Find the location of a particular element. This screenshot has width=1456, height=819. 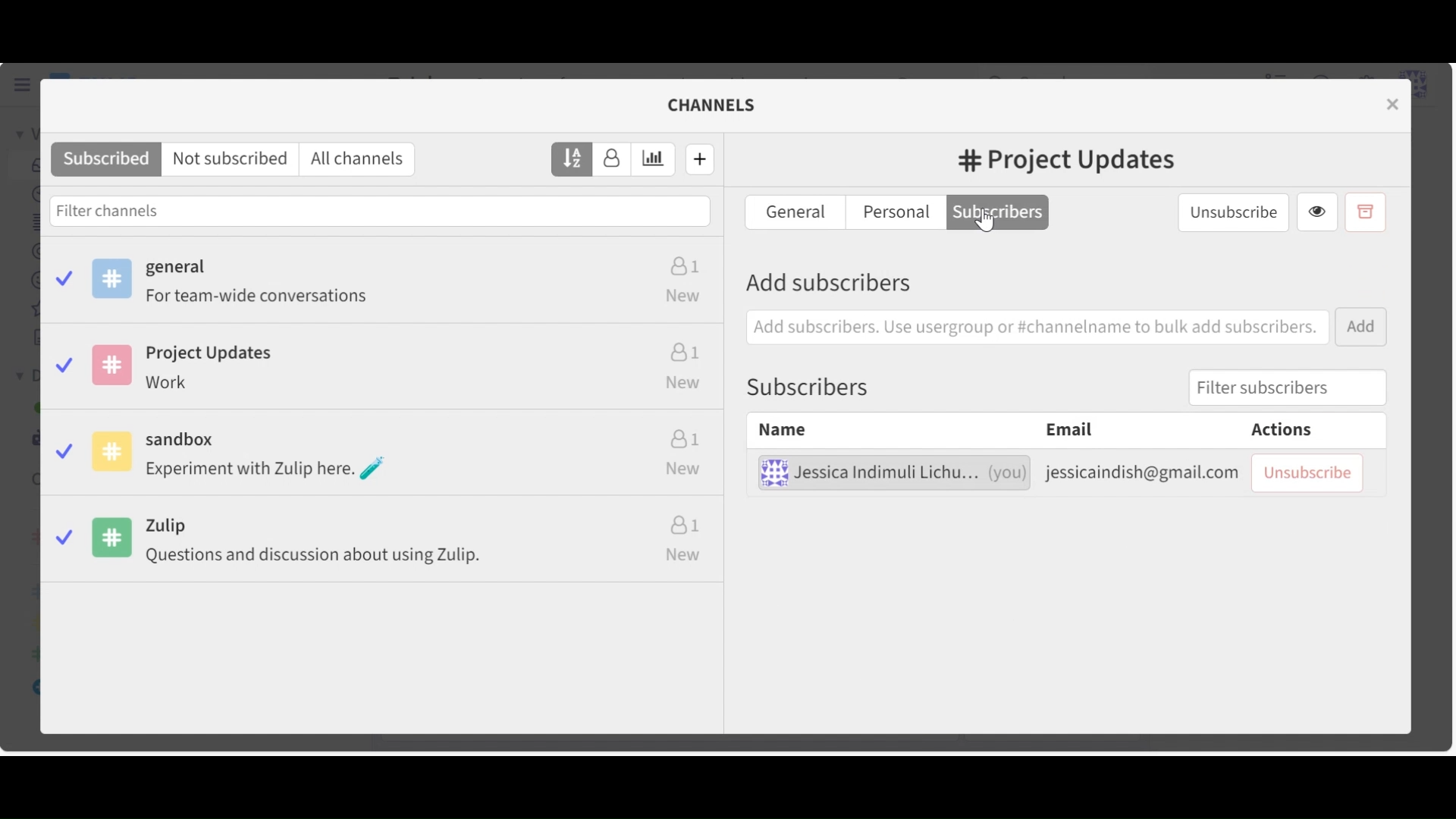

 is located at coordinates (105, 159).